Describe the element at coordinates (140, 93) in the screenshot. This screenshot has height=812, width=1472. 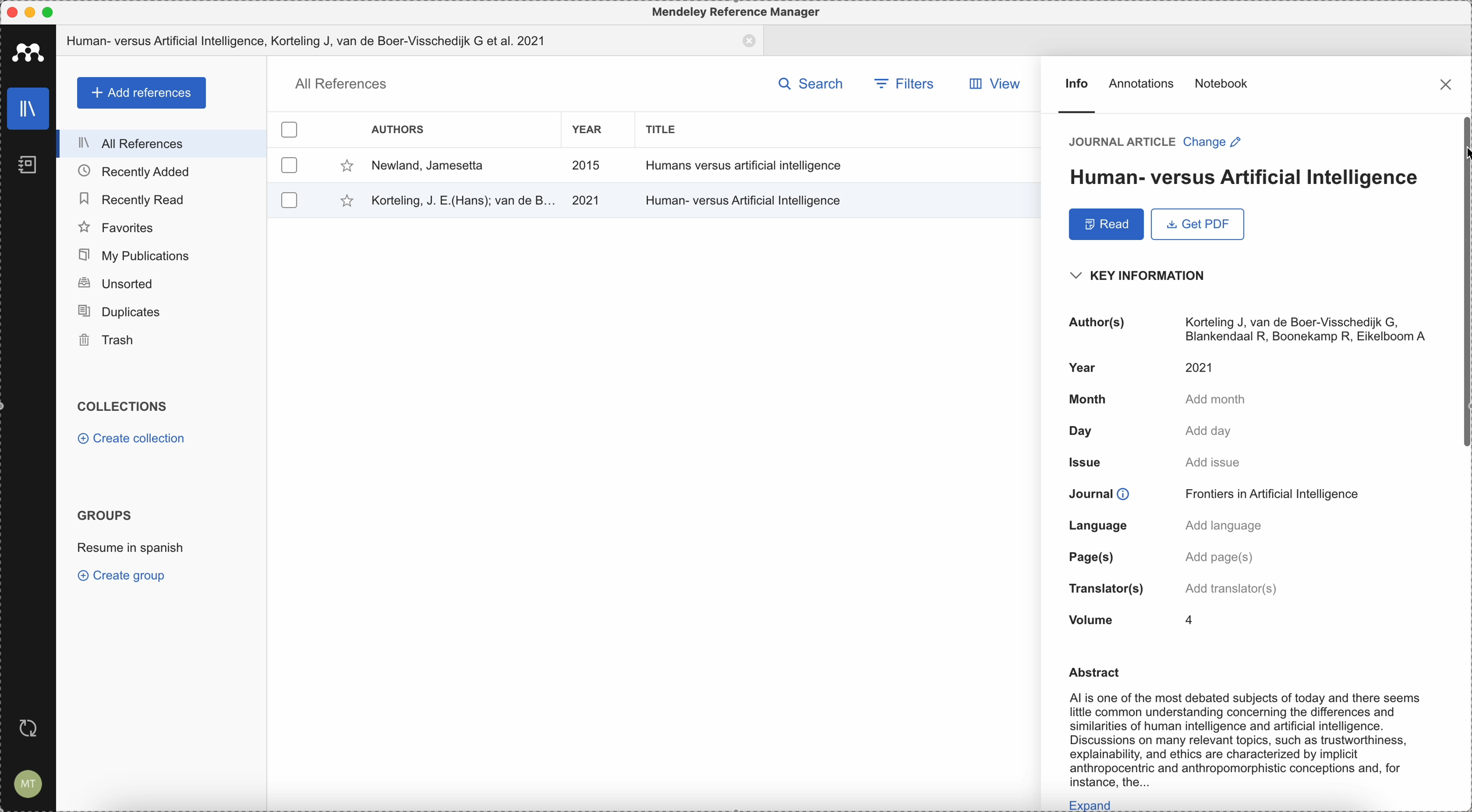
I see `add references` at that location.